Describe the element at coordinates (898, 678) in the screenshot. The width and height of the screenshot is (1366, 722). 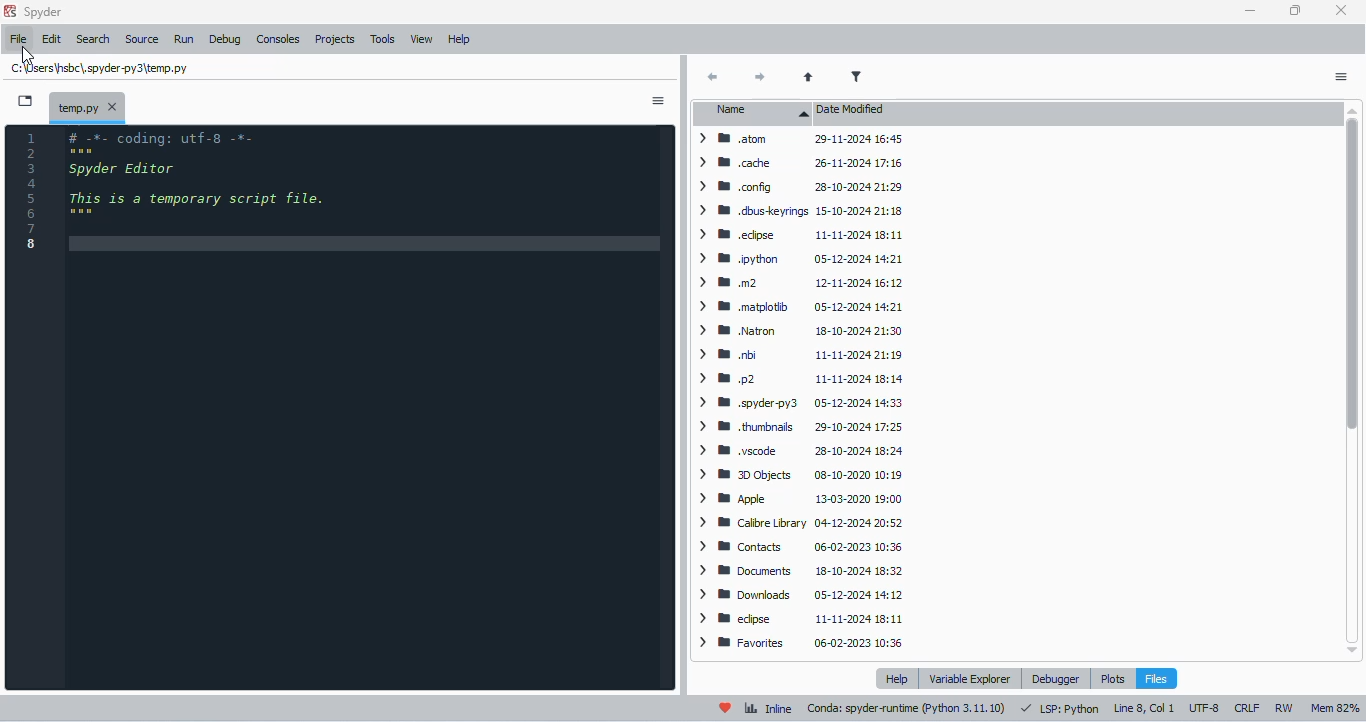
I see `help` at that location.